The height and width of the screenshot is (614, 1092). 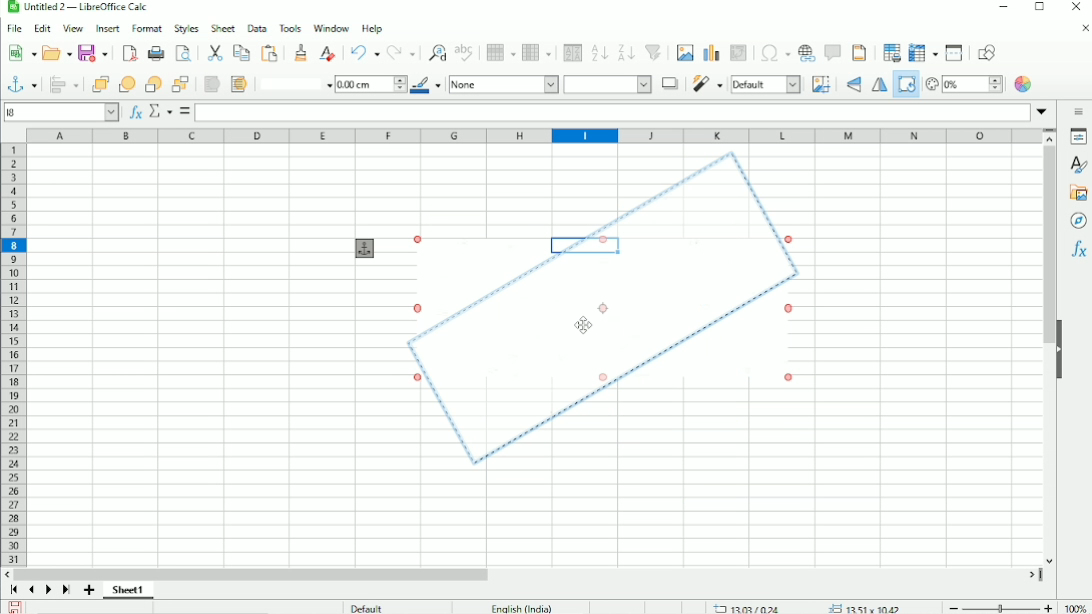 I want to click on Split window, so click(x=954, y=53).